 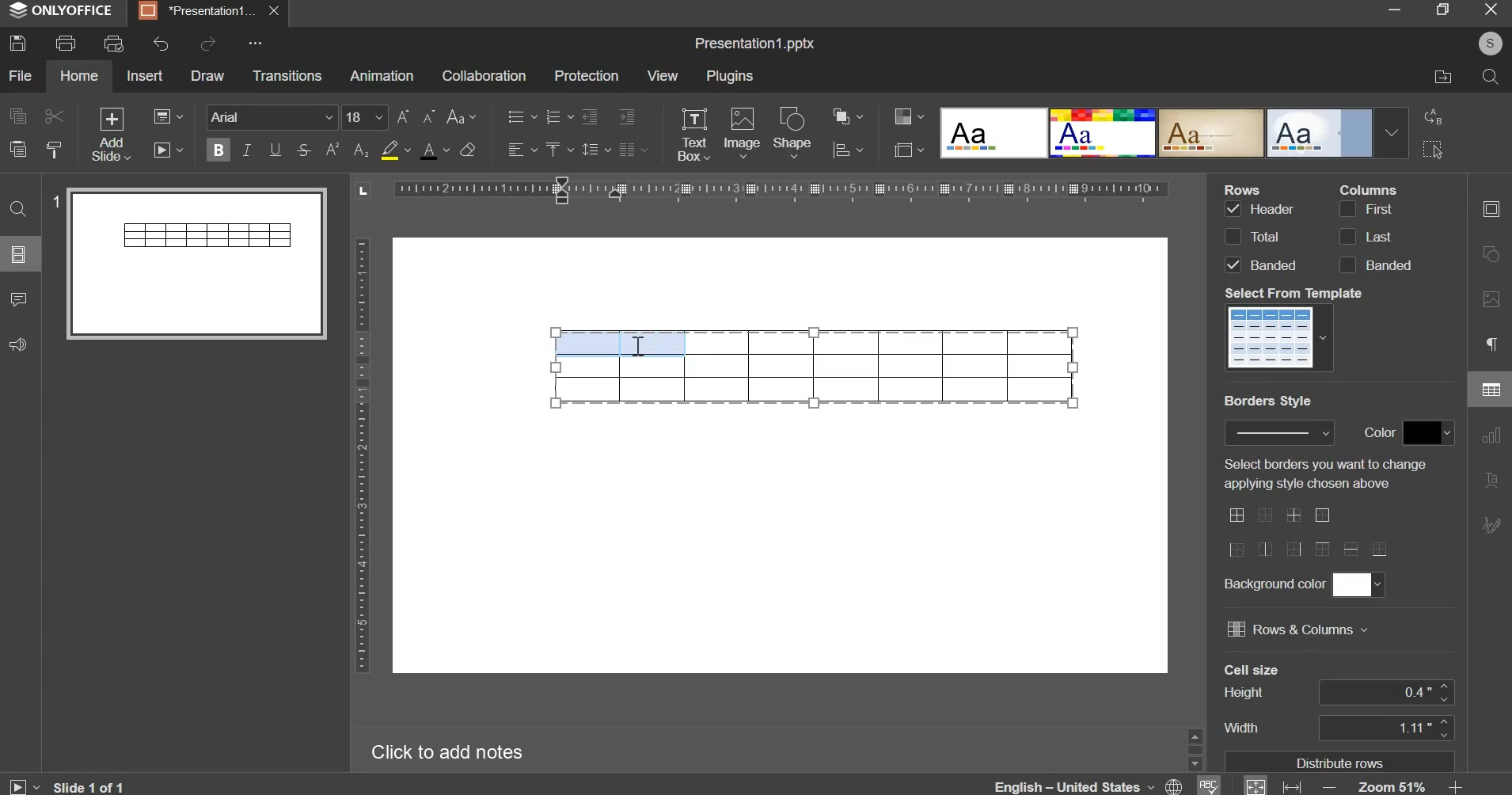 I want to click on User's account, so click(x=1490, y=42).